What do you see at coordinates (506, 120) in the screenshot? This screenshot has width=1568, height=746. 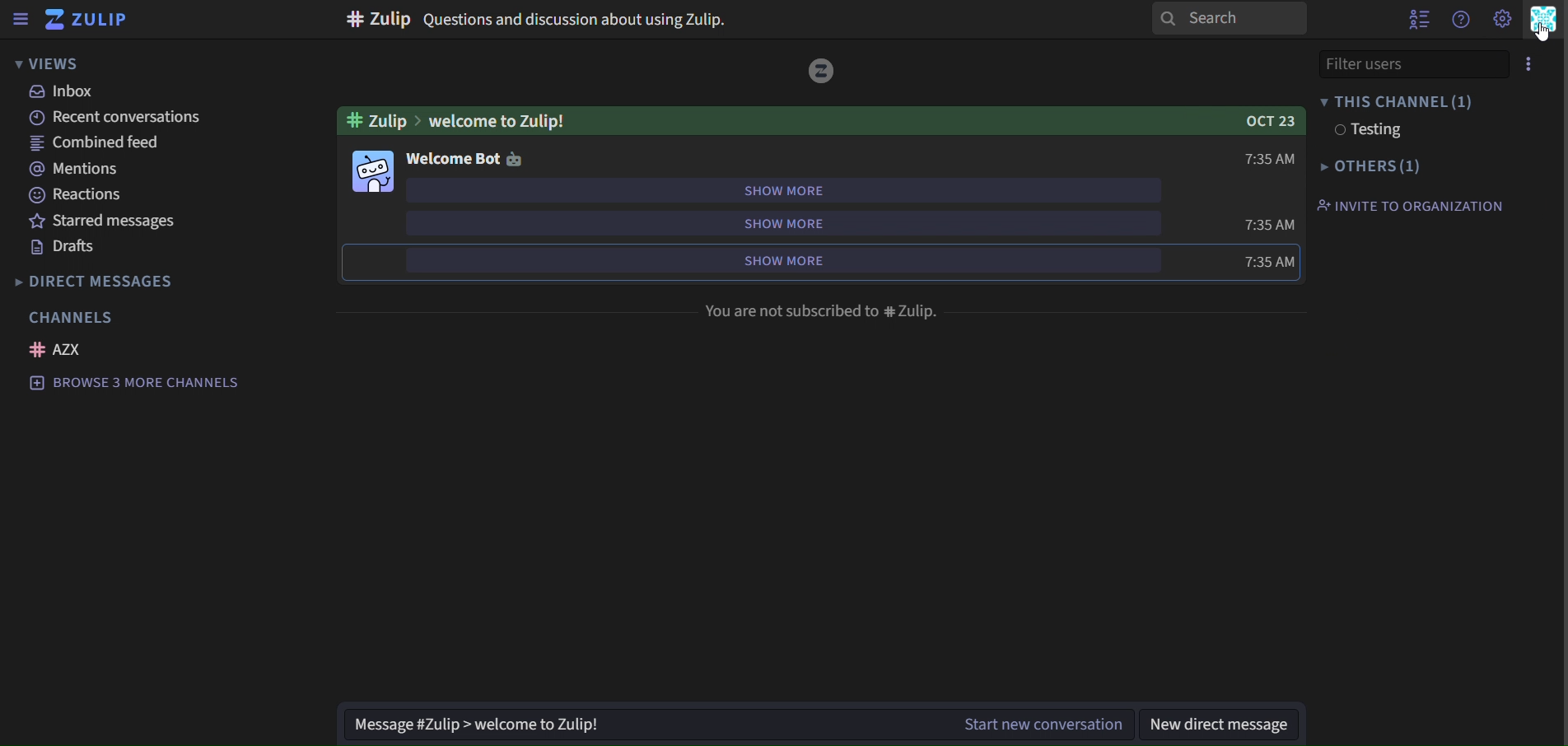 I see ` welcome to Zulip!` at bounding box center [506, 120].